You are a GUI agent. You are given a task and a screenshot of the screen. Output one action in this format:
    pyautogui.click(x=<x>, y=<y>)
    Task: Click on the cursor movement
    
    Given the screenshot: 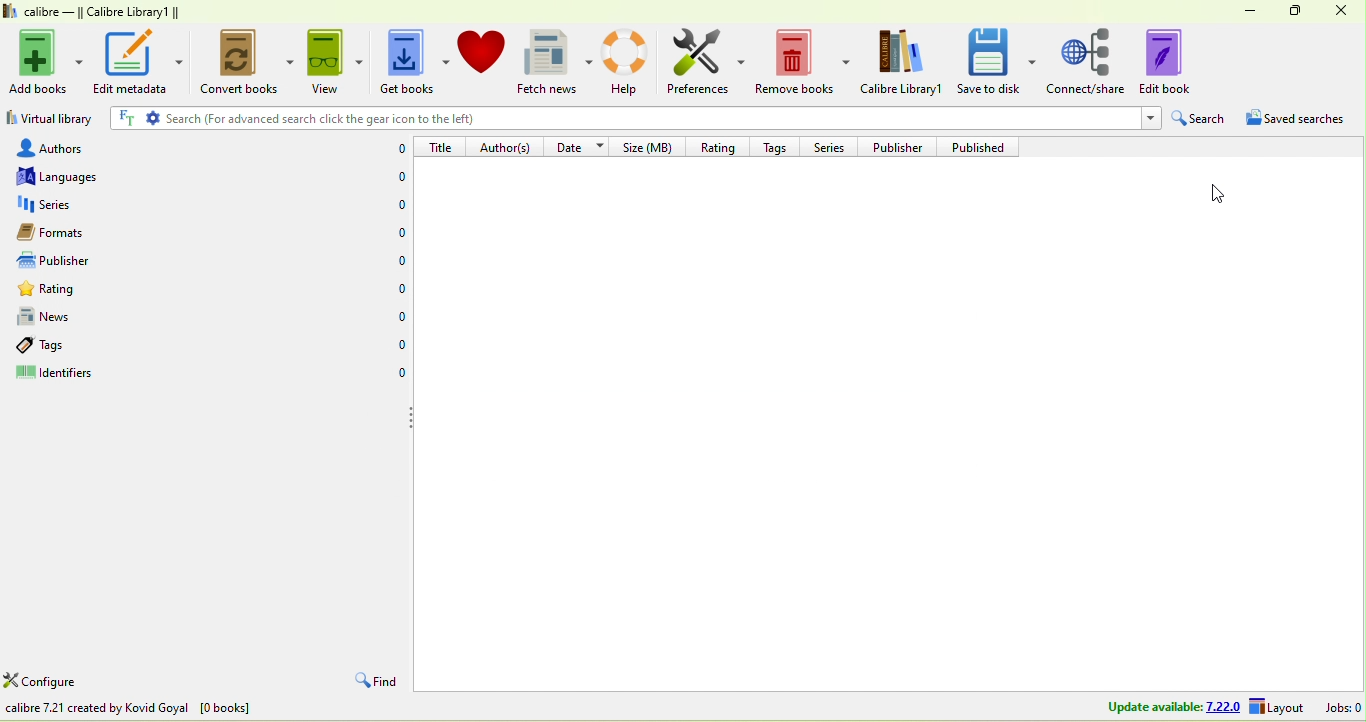 What is the action you would take?
    pyautogui.click(x=1215, y=196)
    